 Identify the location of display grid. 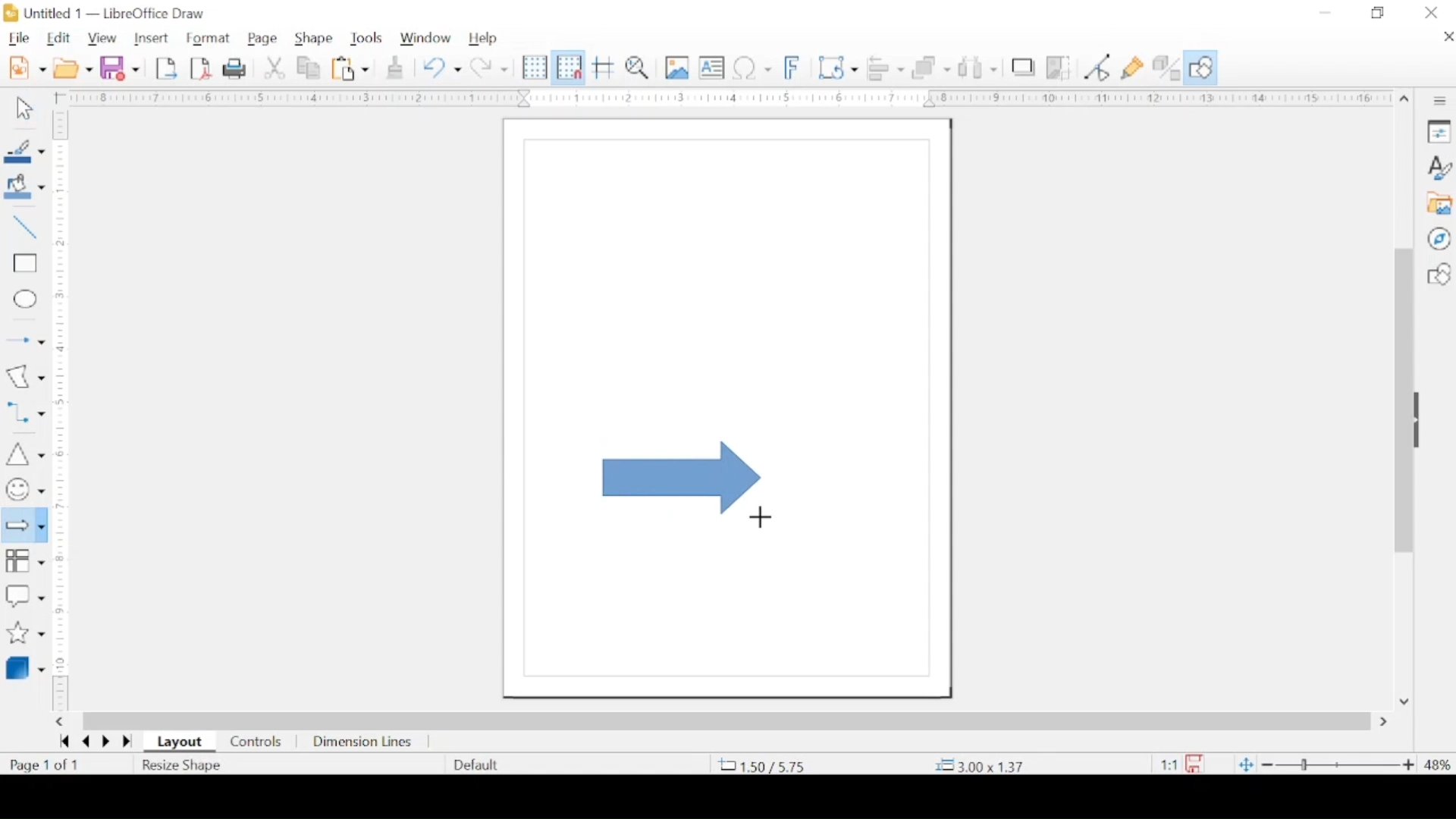
(534, 67).